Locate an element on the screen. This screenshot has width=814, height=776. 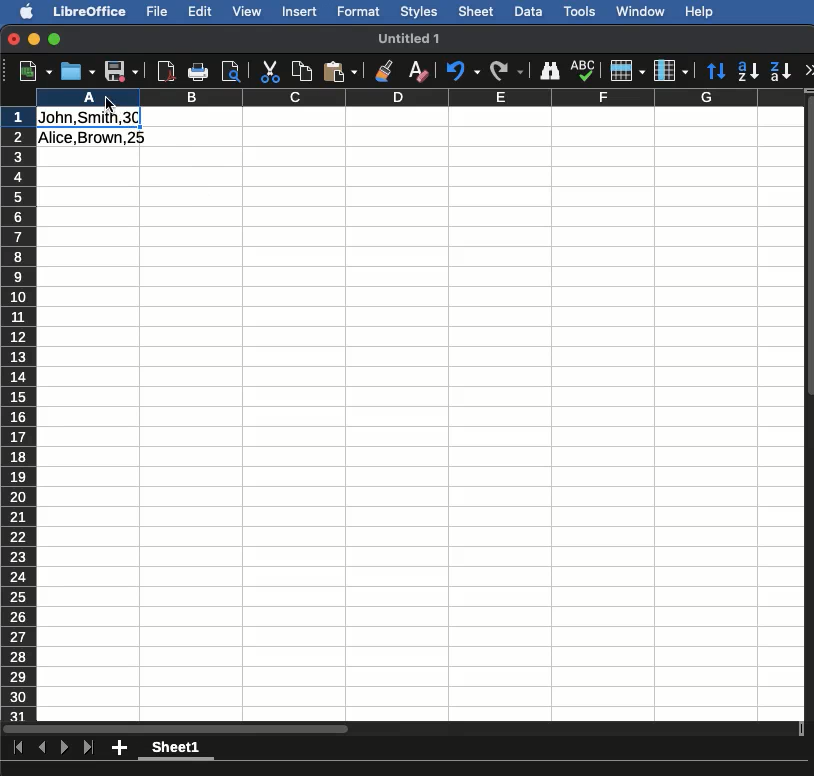
Finding is located at coordinates (550, 70).